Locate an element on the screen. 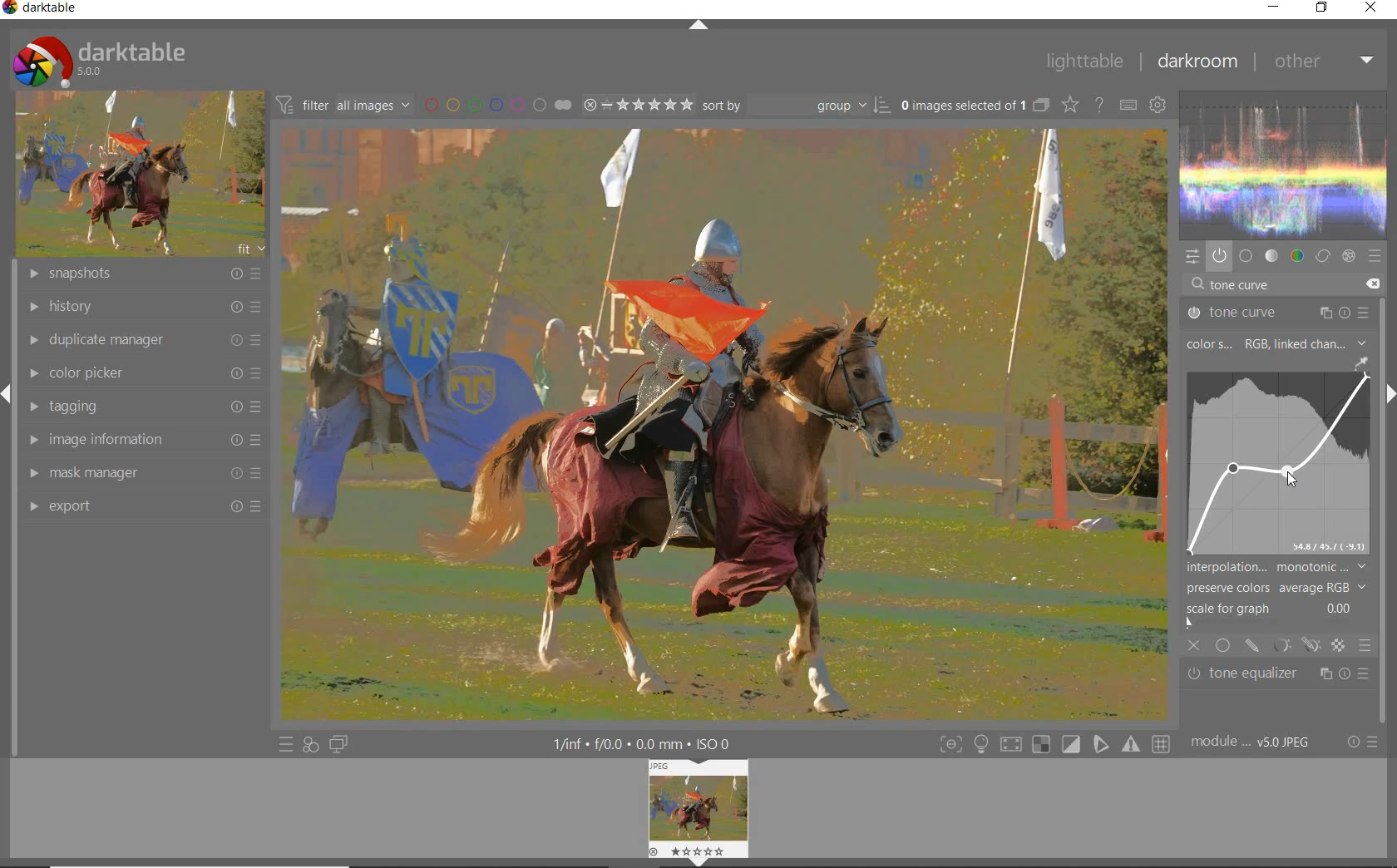  input value is located at coordinates (1243, 286).